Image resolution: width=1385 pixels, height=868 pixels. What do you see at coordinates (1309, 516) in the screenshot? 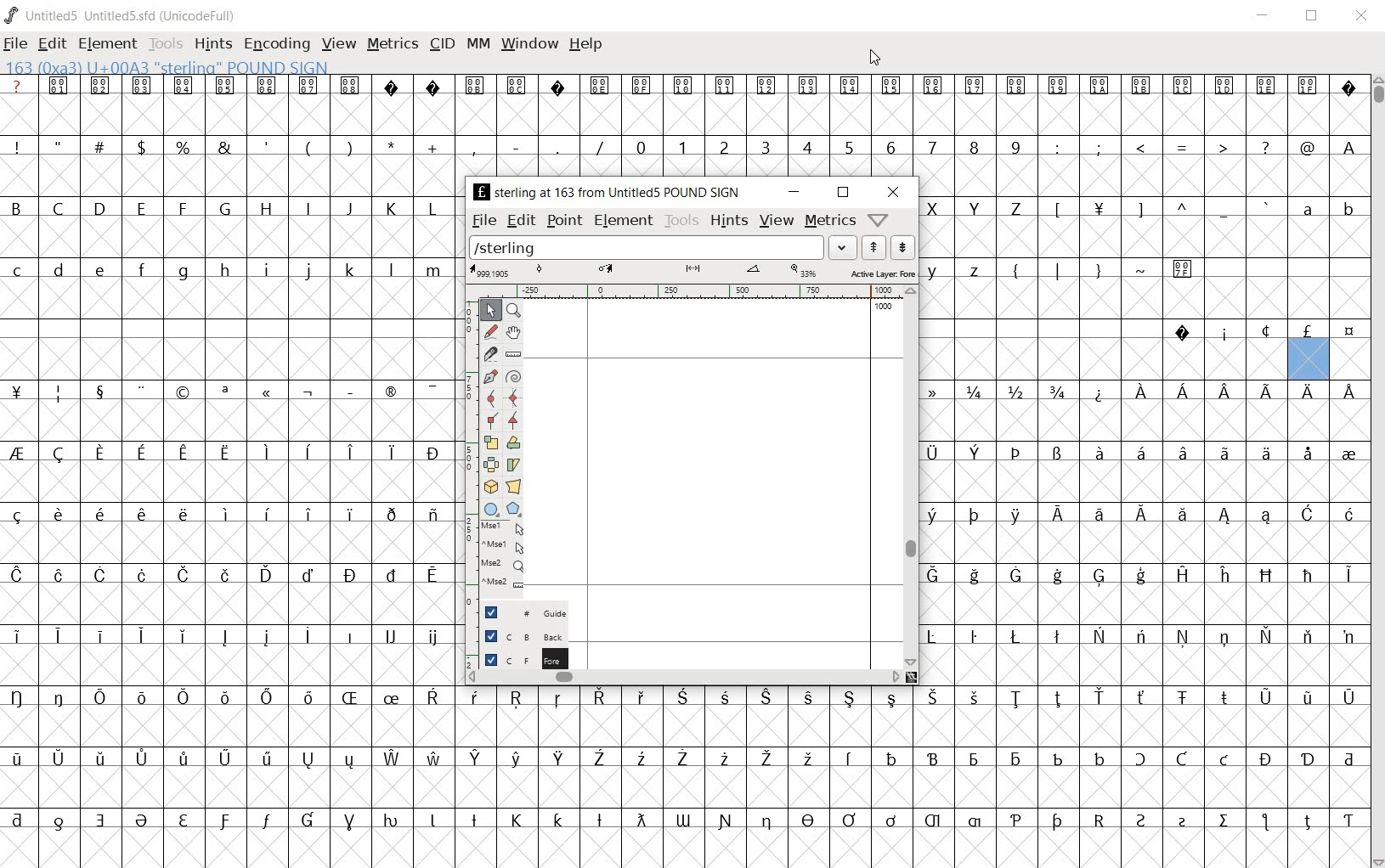
I see `Symbol` at bounding box center [1309, 516].